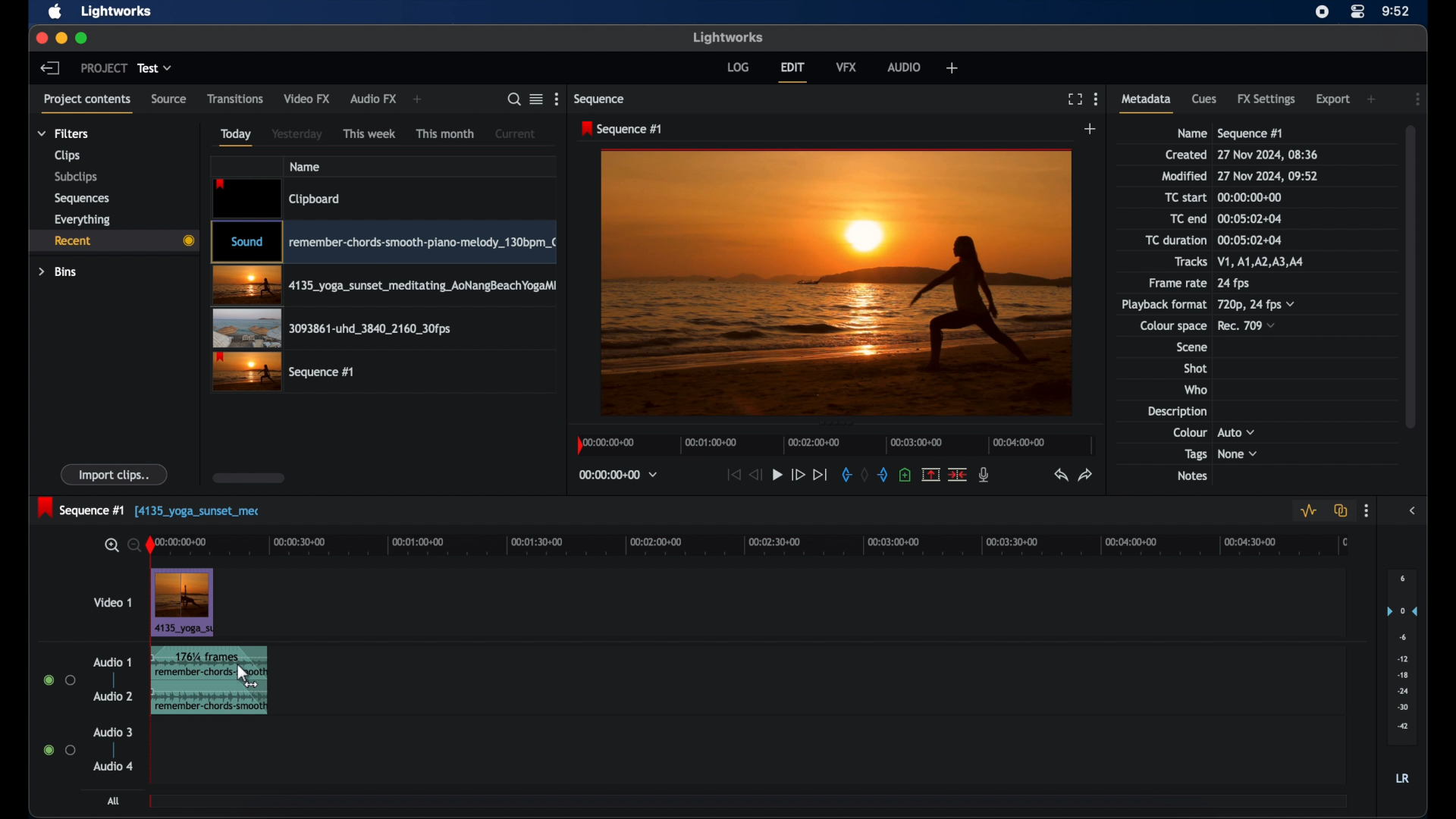 This screenshot has height=819, width=1456. Describe the element at coordinates (733, 474) in the screenshot. I see `jump to start` at that location.